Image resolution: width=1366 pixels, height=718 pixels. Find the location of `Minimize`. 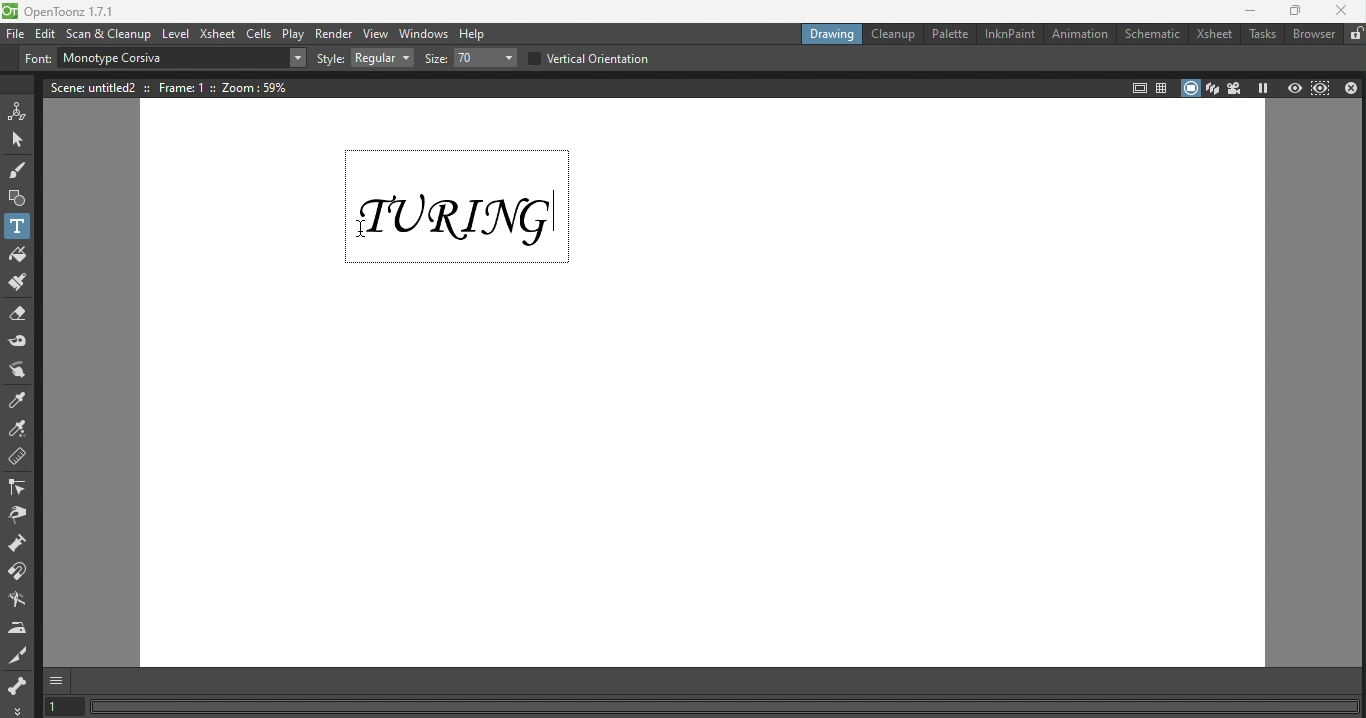

Minimize is located at coordinates (1251, 11).